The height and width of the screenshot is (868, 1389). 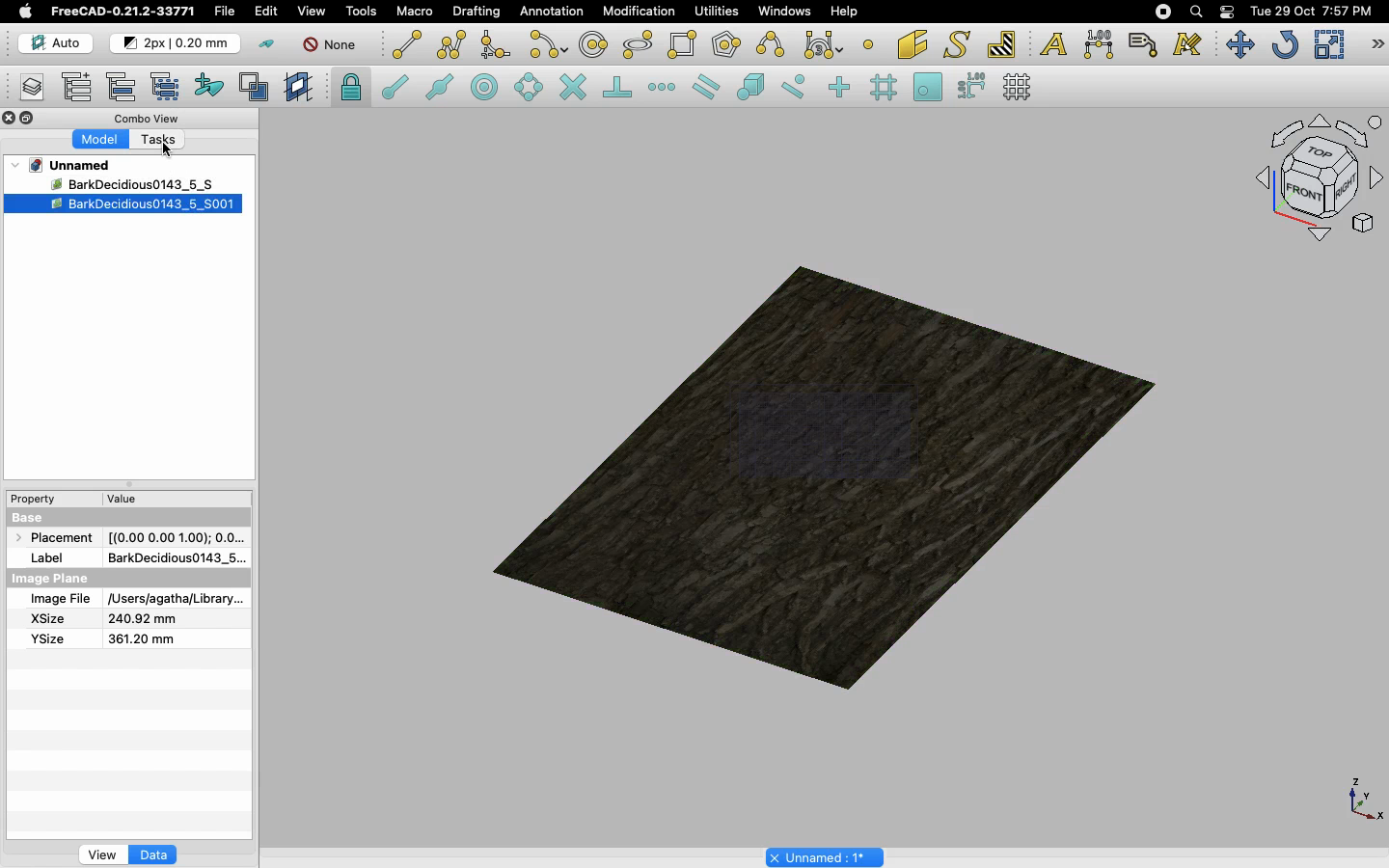 I want to click on Snap near, so click(x=799, y=87).